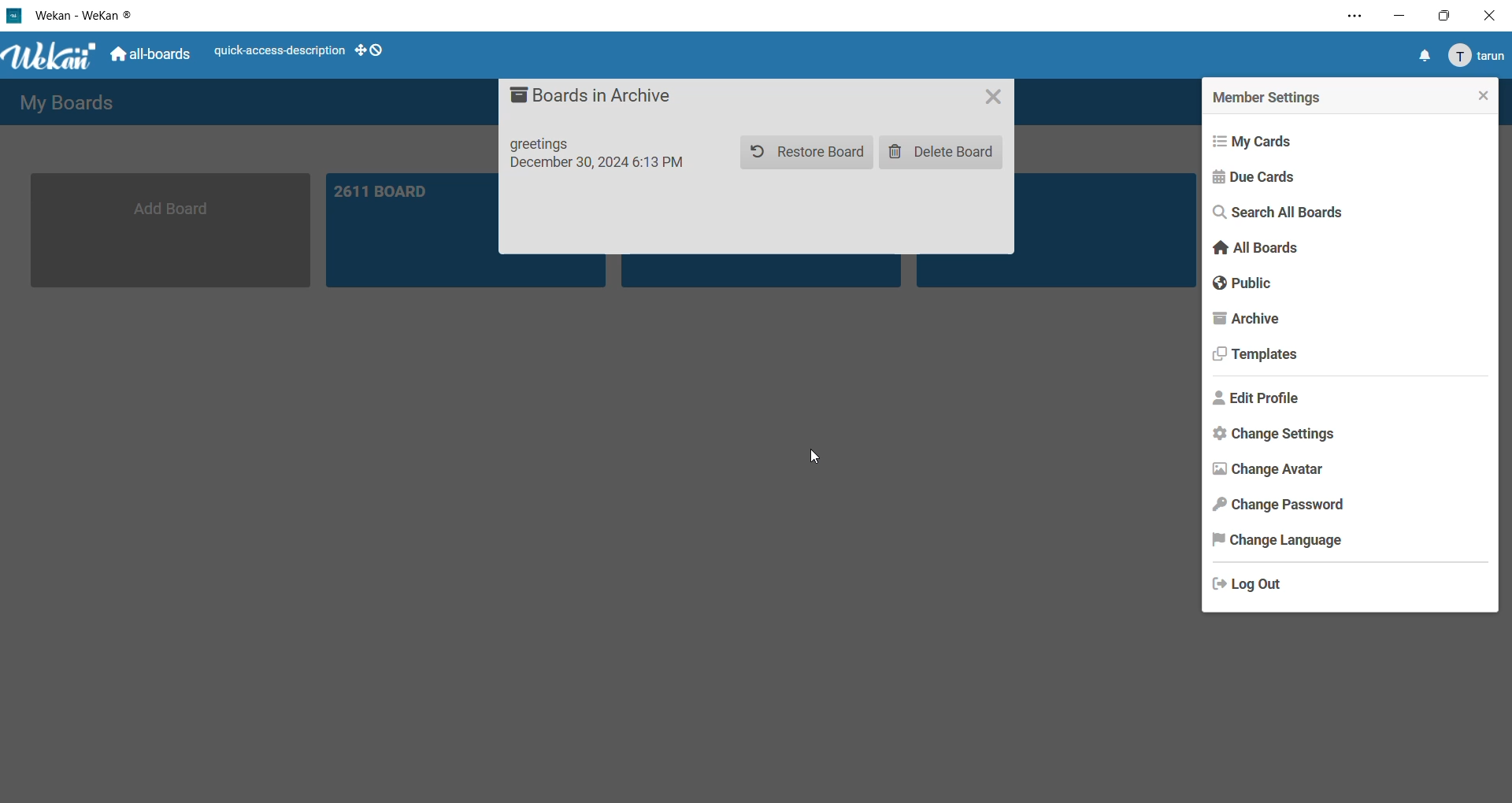 The height and width of the screenshot is (803, 1512). What do you see at coordinates (762, 272) in the screenshot?
I see `new list` at bounding box center [762, 272].